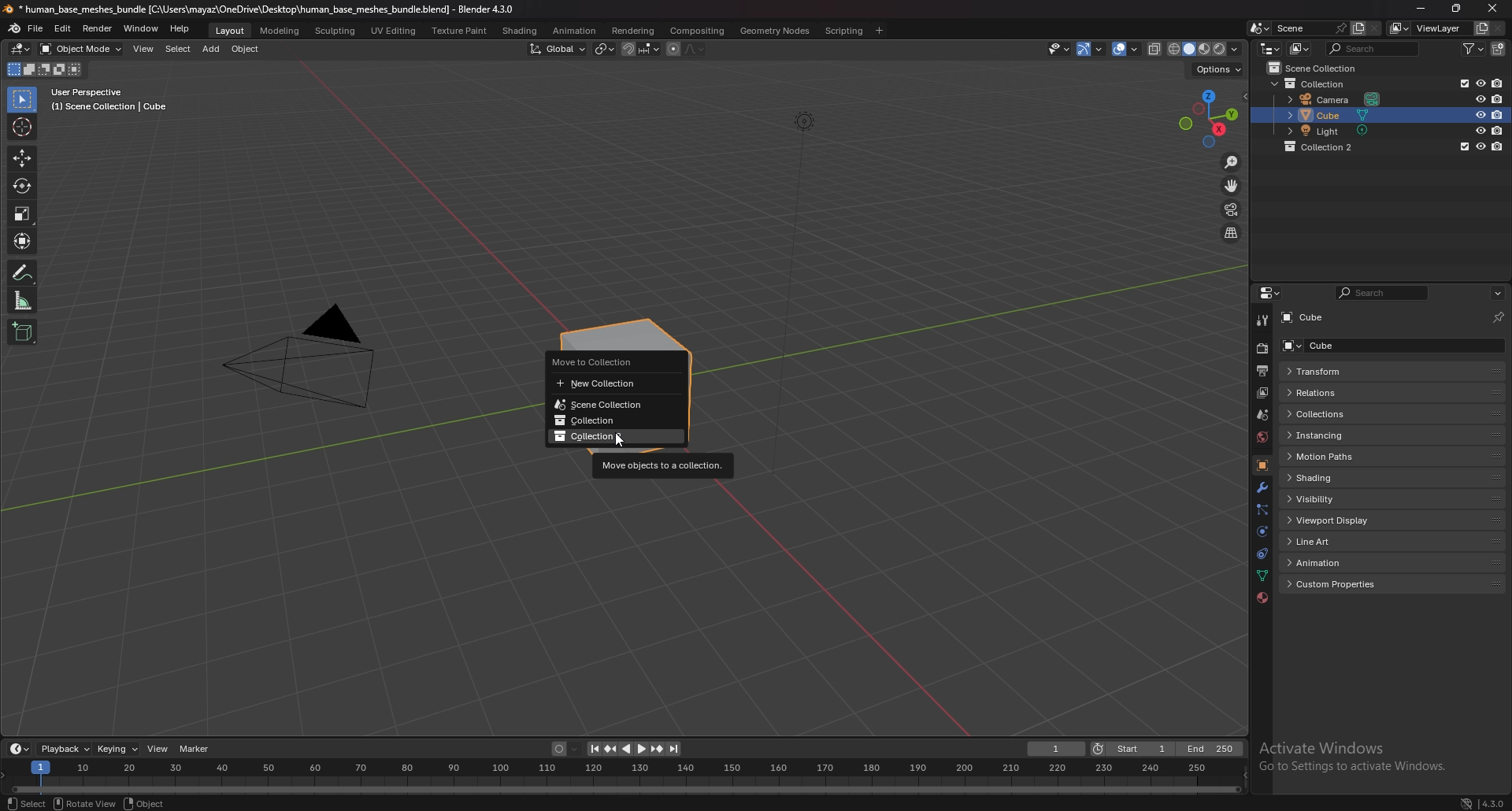 The width and height of the screenshot is (1512, 811). What do you see at coordinates (1340, 27) in the screenshot?
I see `pin scene` at bounding box center [1340, 27].